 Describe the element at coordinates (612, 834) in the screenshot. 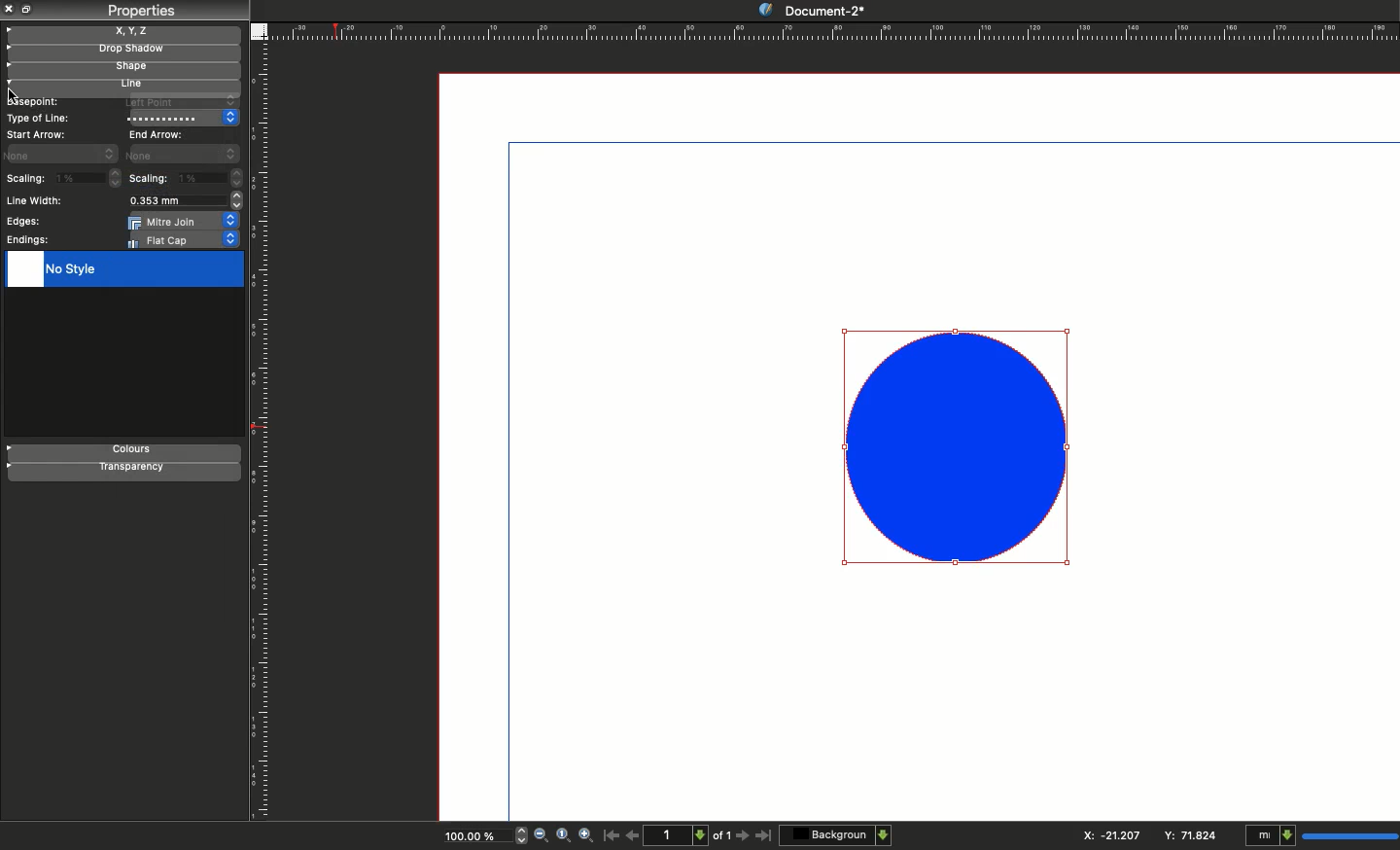

I see `First page` at that location.